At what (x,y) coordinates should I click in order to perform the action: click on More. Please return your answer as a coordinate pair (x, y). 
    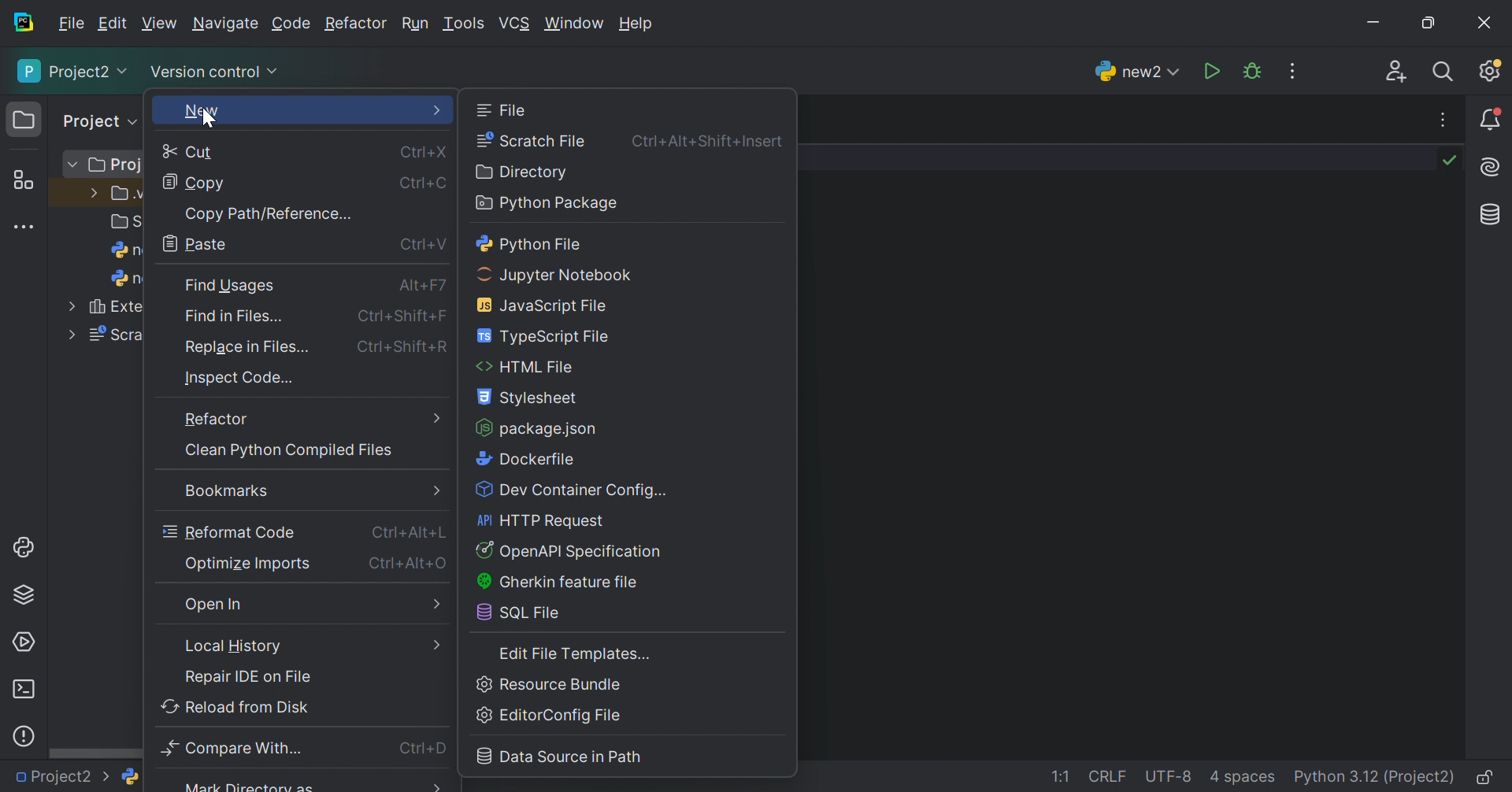
    Looking at the image, I should click on (72, 337).